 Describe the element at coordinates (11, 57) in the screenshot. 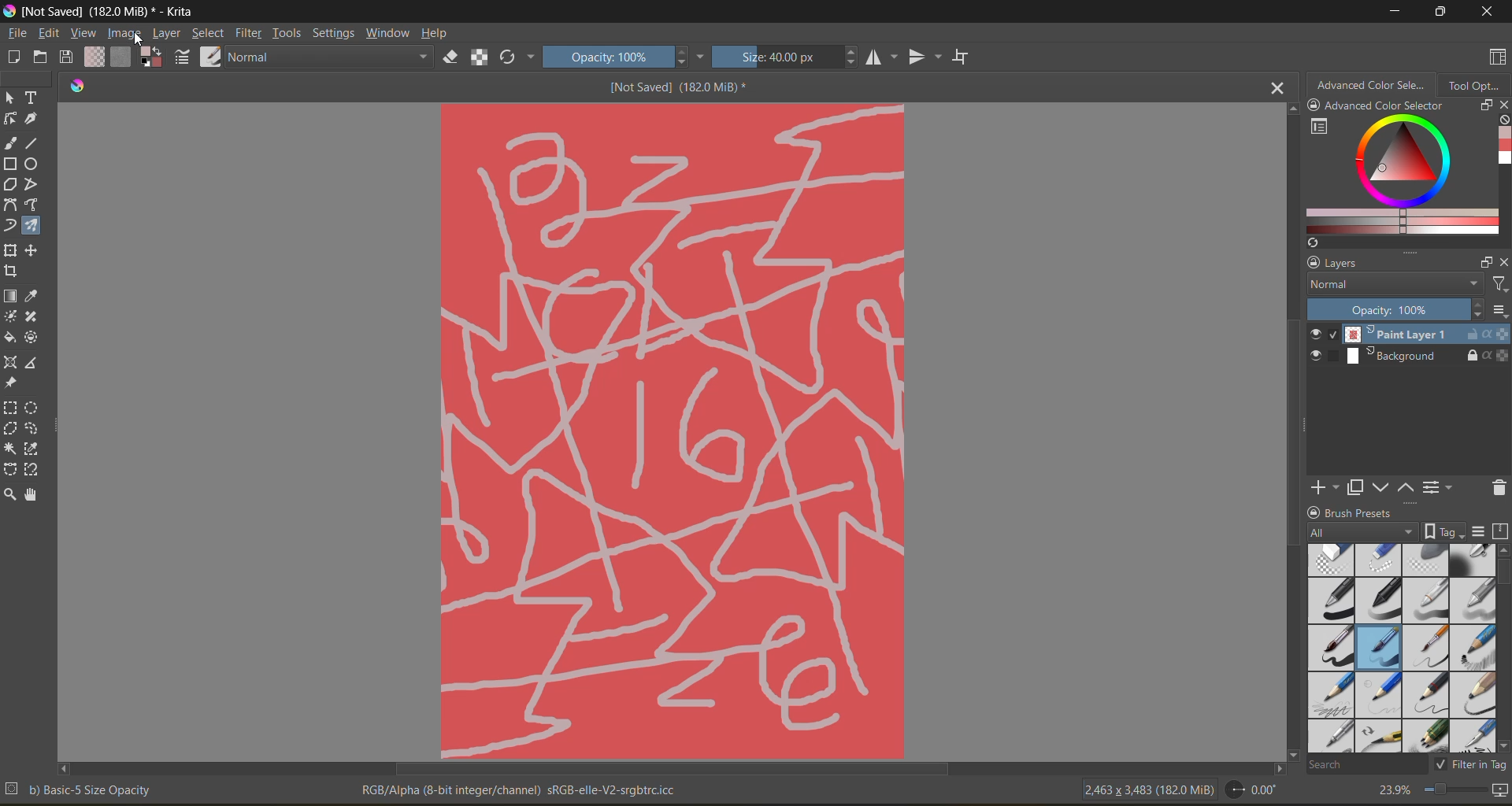

I see `create` at that location.